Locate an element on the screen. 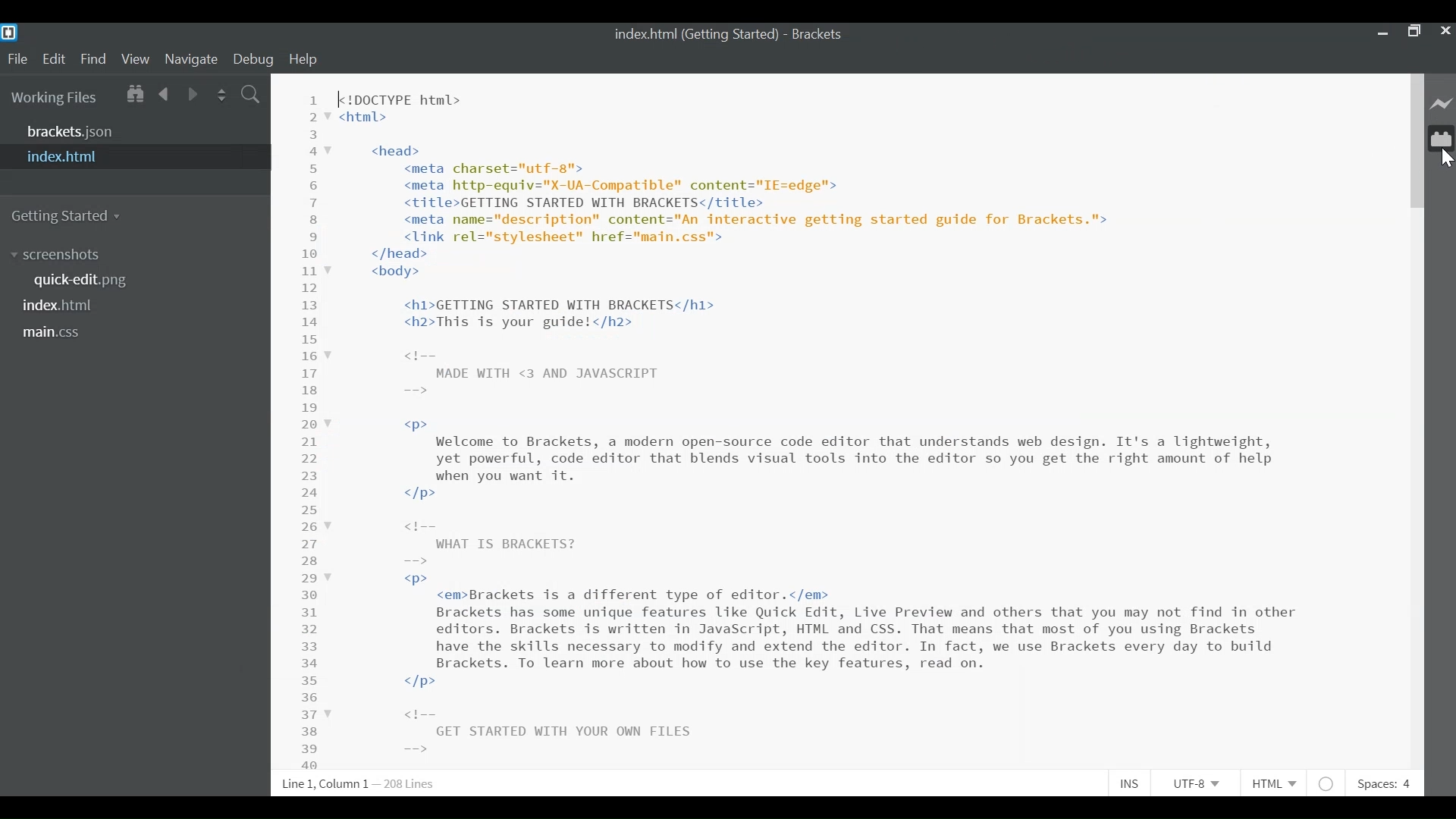 The image size is (1456, 819). Find is located at coordinates (93, 60).